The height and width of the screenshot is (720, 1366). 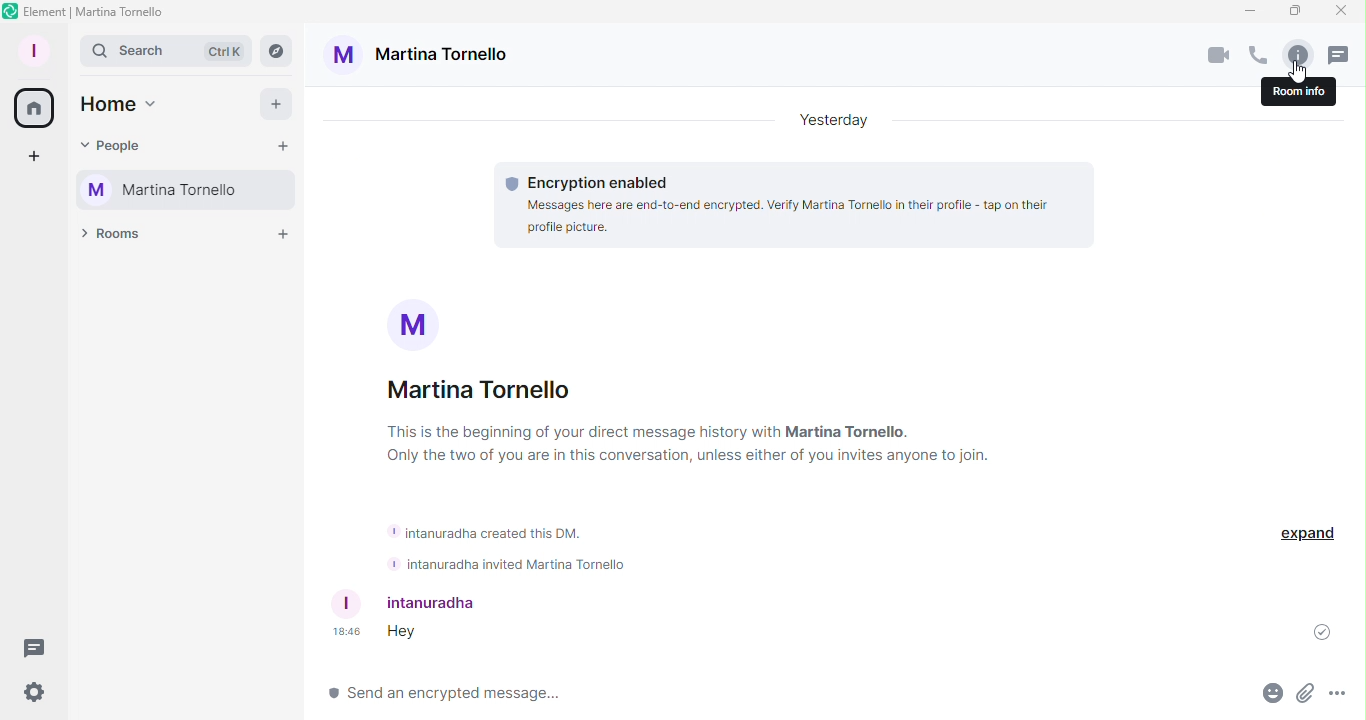 What do you see at coordinates (829, 121) in the screenshot?
I see `Yesterday` at bounding box center [829, 121].